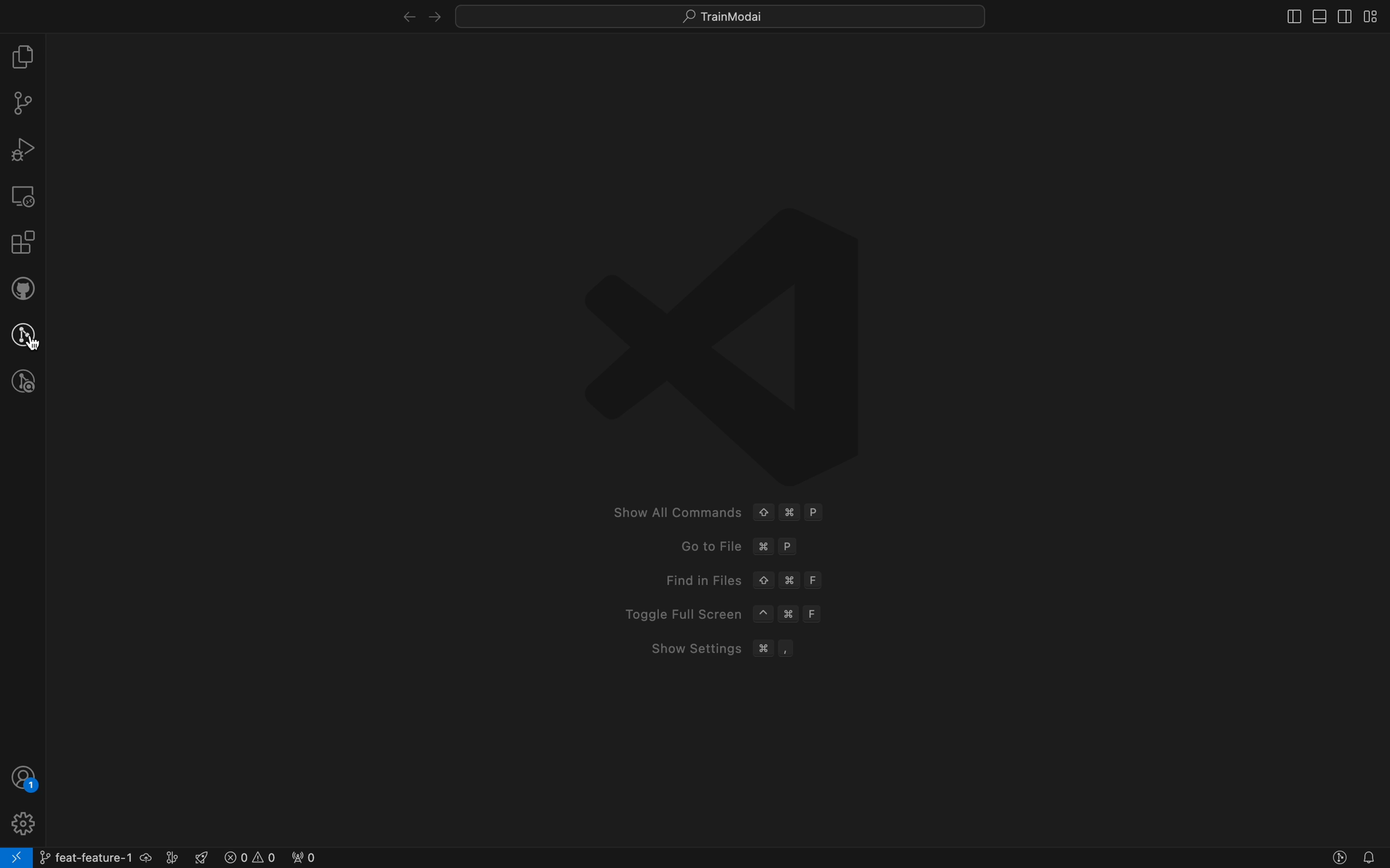 This screenshot has width=1390, height=868. Describe the element at coordinates (1339, 858) in the screenshot. I see `gitlens` at that location.